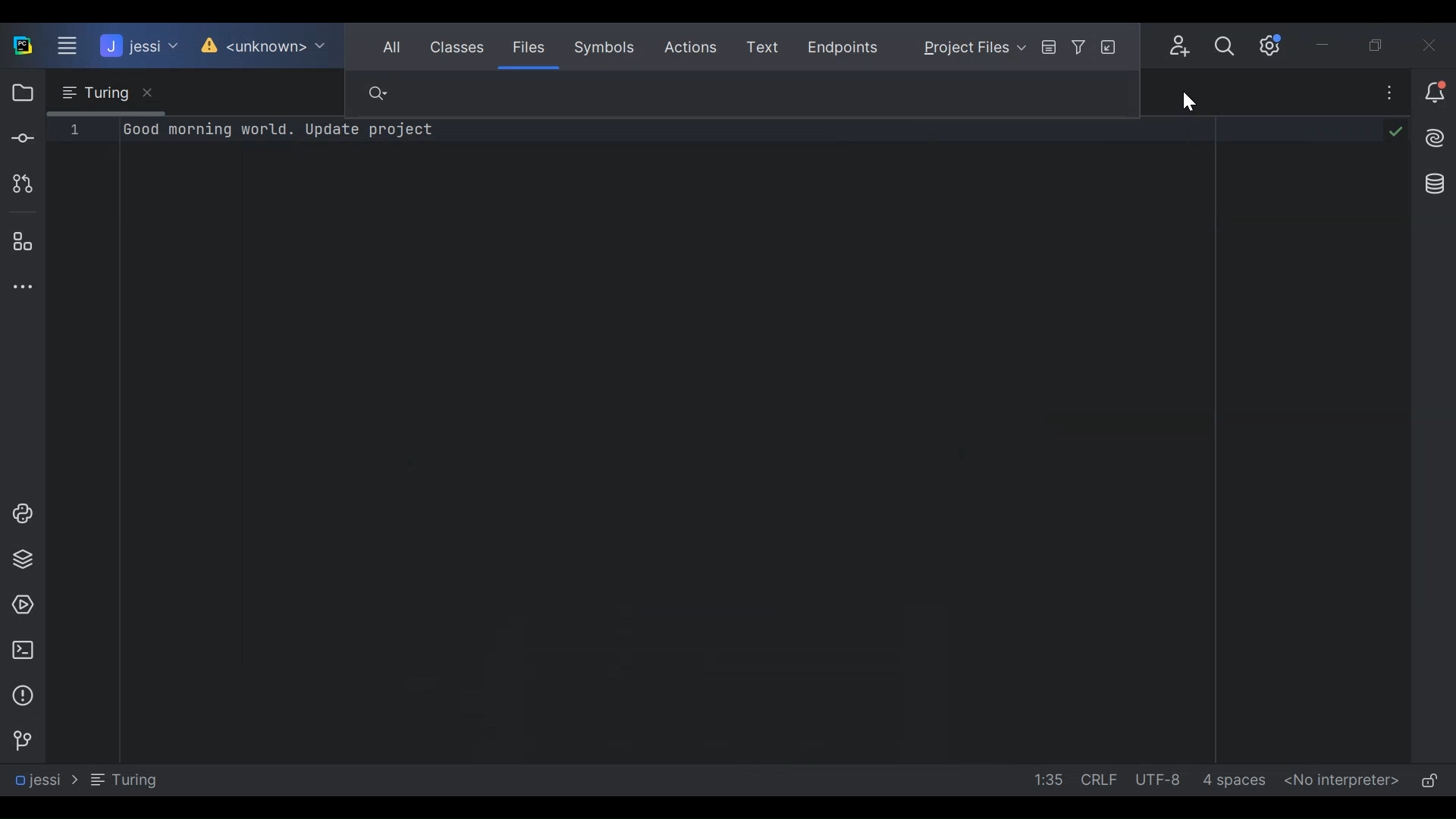 The height and width of the screenshot is (819, 1456). Describe the element at coordinates (1232, 47) in the screenshot. I see `Search` at that location.